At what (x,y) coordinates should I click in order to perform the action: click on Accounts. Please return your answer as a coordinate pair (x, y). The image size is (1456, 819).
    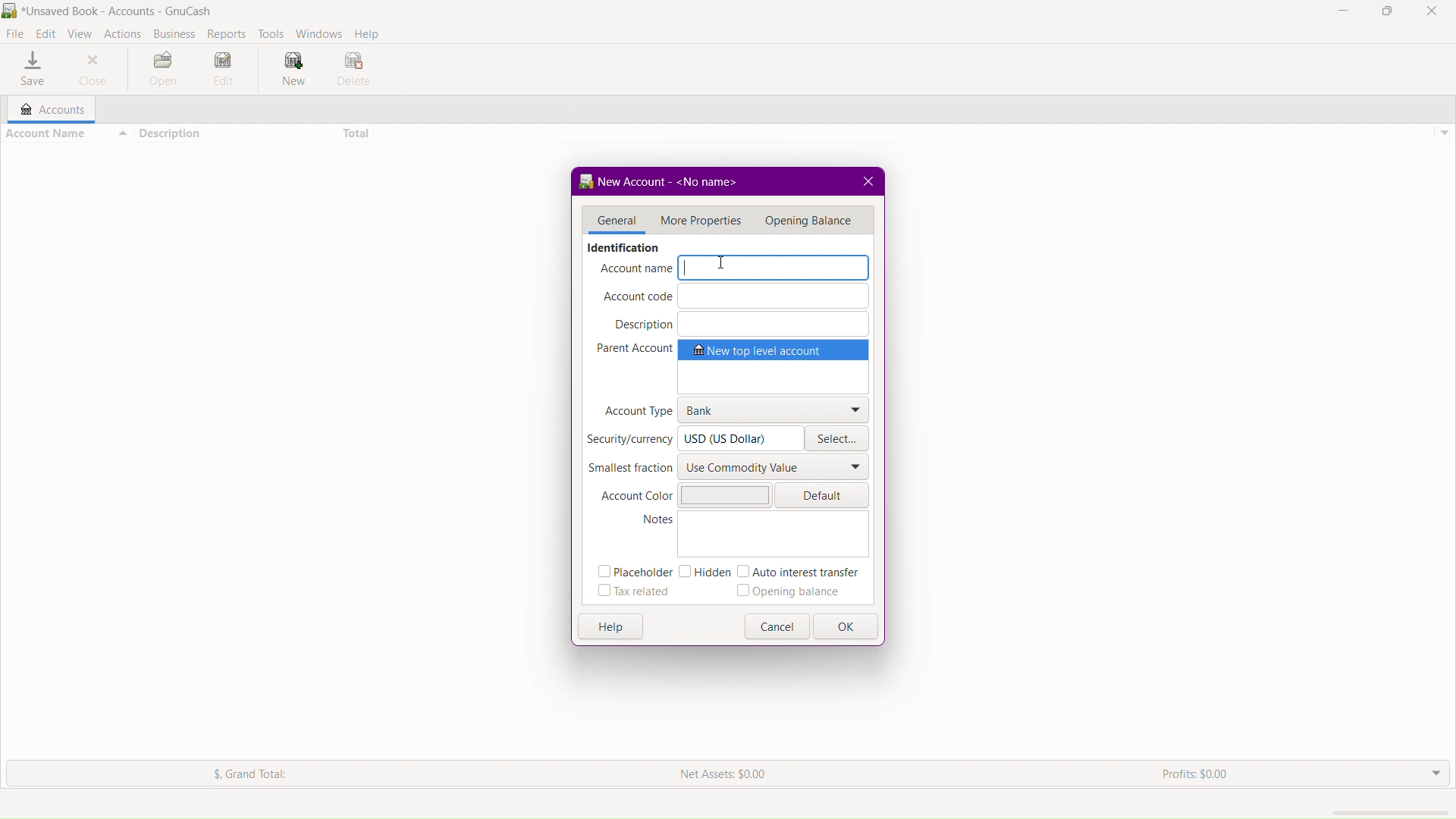
    Looking at the image, I should click on (47, 109).